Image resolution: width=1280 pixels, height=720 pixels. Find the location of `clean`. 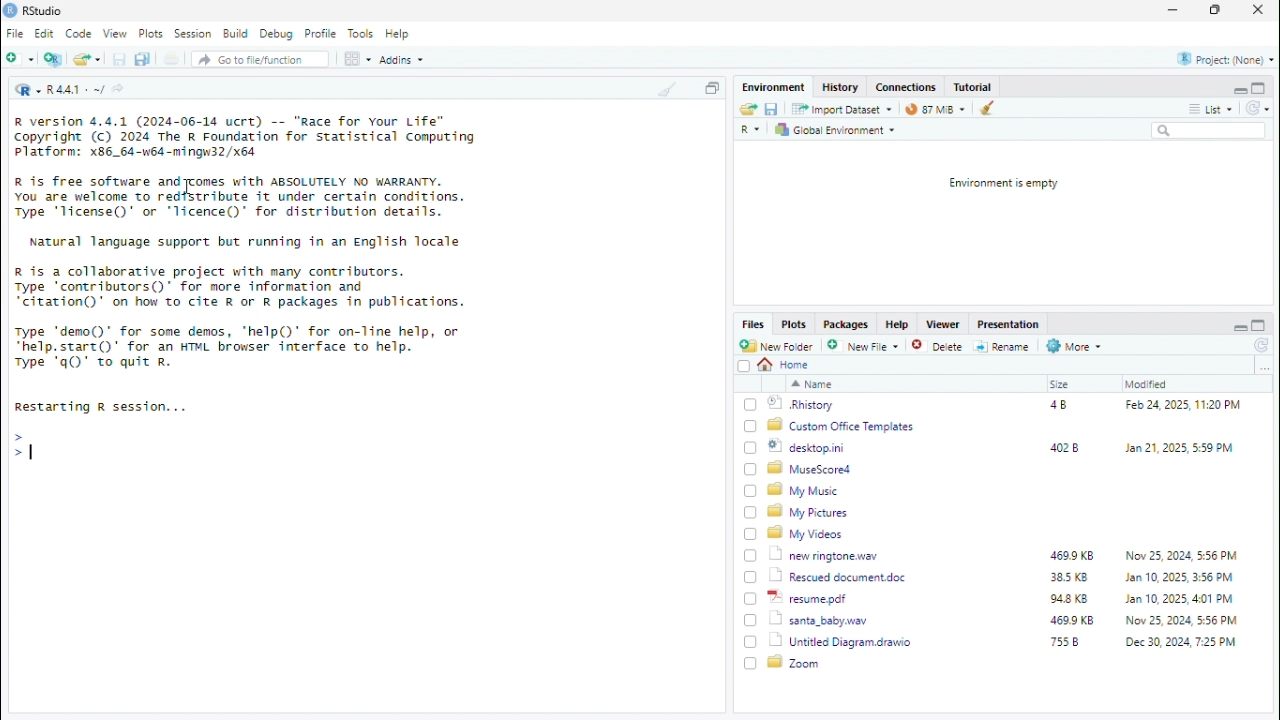

clean is located at coordinates (990, 107).